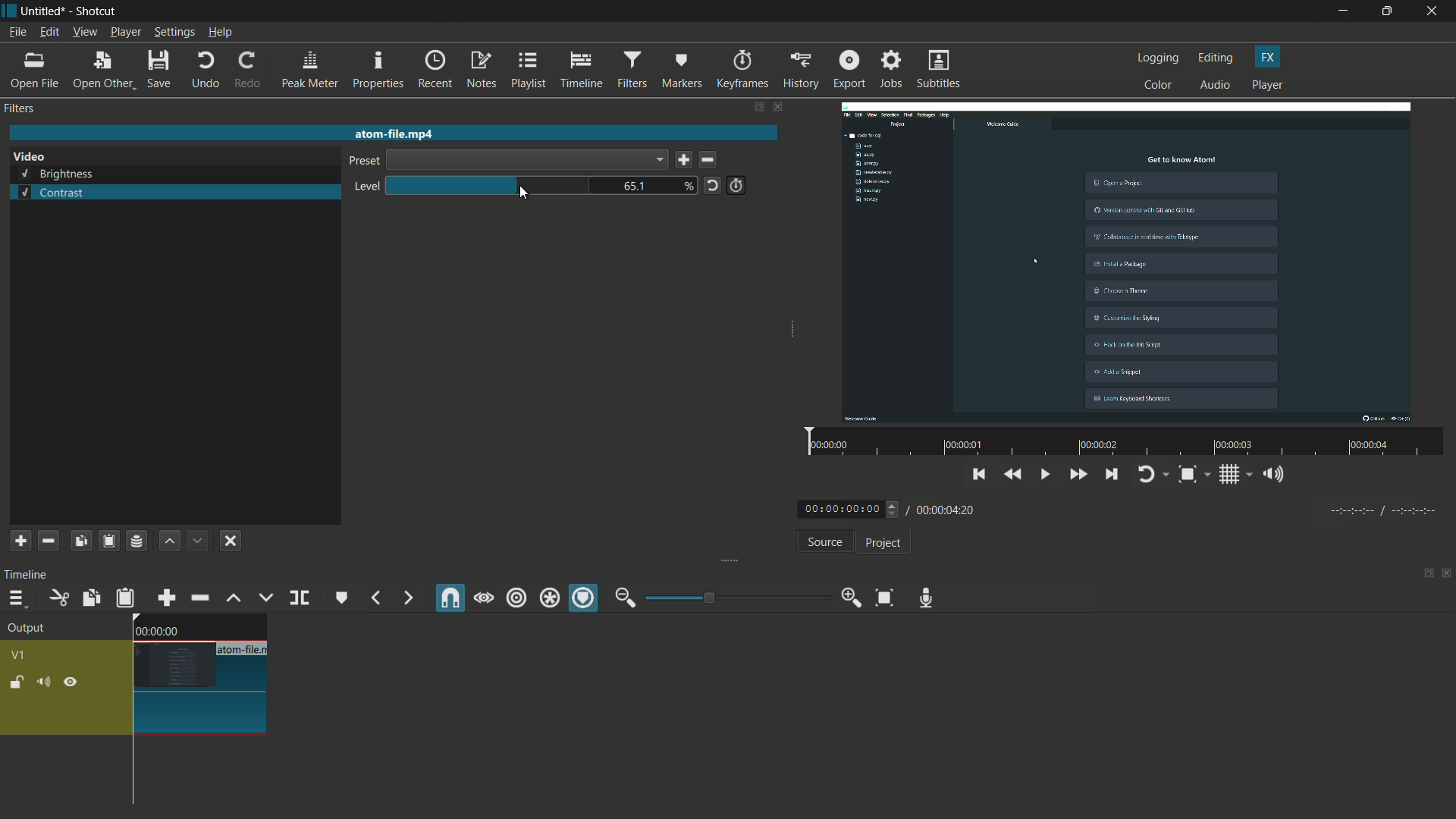  I want to click on hide, so click(71, 682).